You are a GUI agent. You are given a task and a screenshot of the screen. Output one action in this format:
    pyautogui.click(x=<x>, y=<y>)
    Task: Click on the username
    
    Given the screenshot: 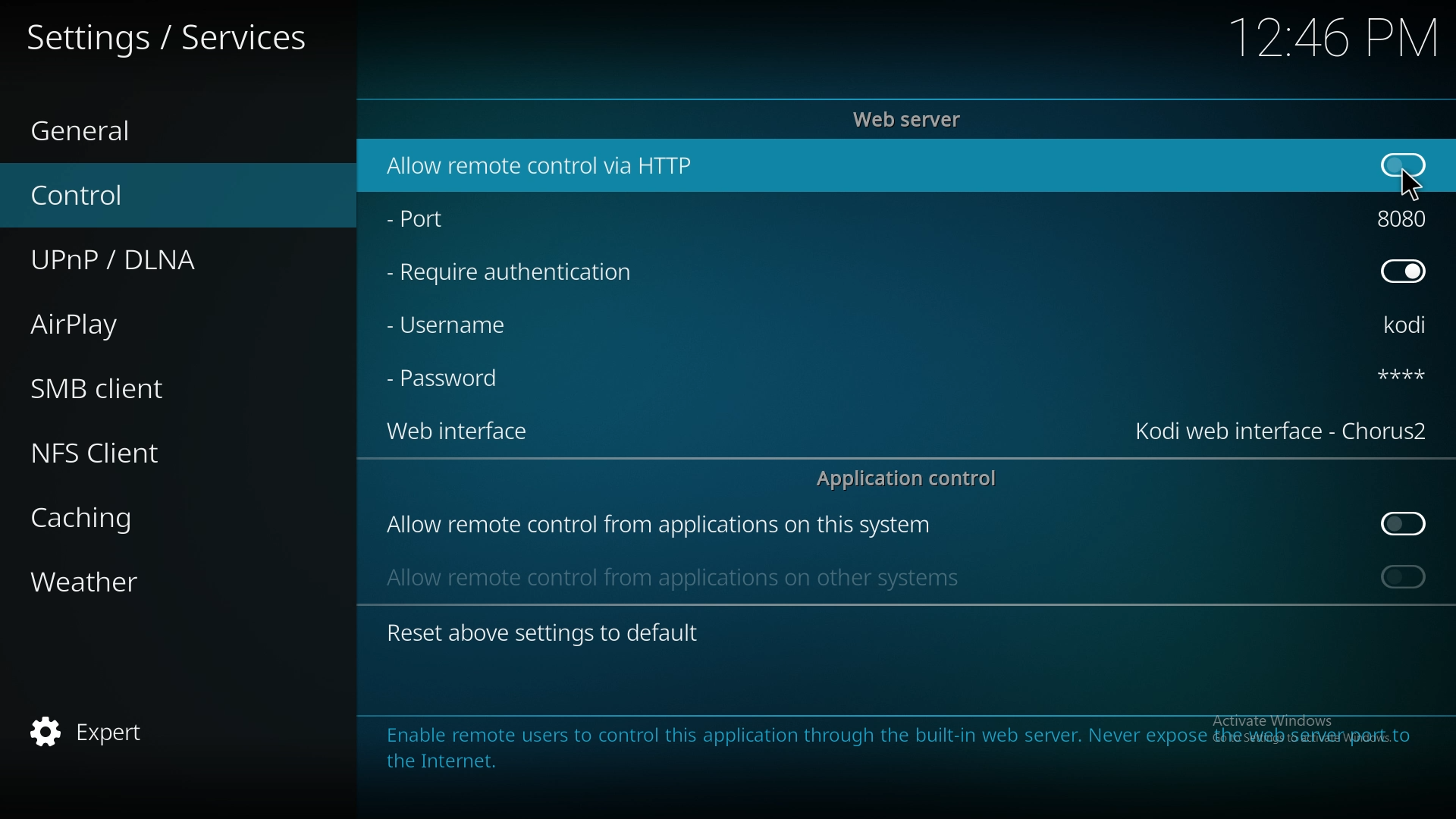 What is the action you would take?
    pyautogui.click(x=1407, y=327)
    